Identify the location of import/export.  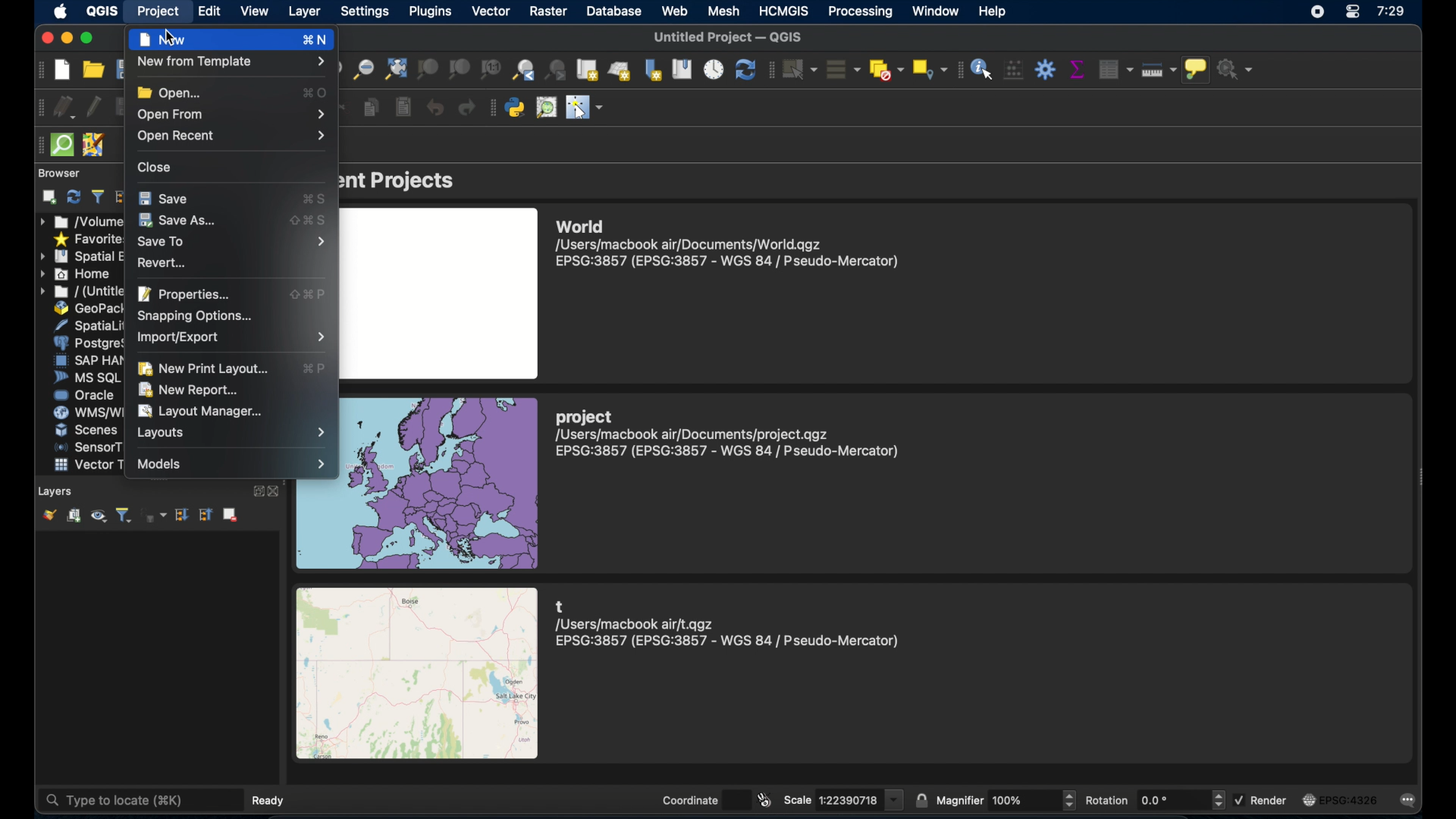
(233, 336).